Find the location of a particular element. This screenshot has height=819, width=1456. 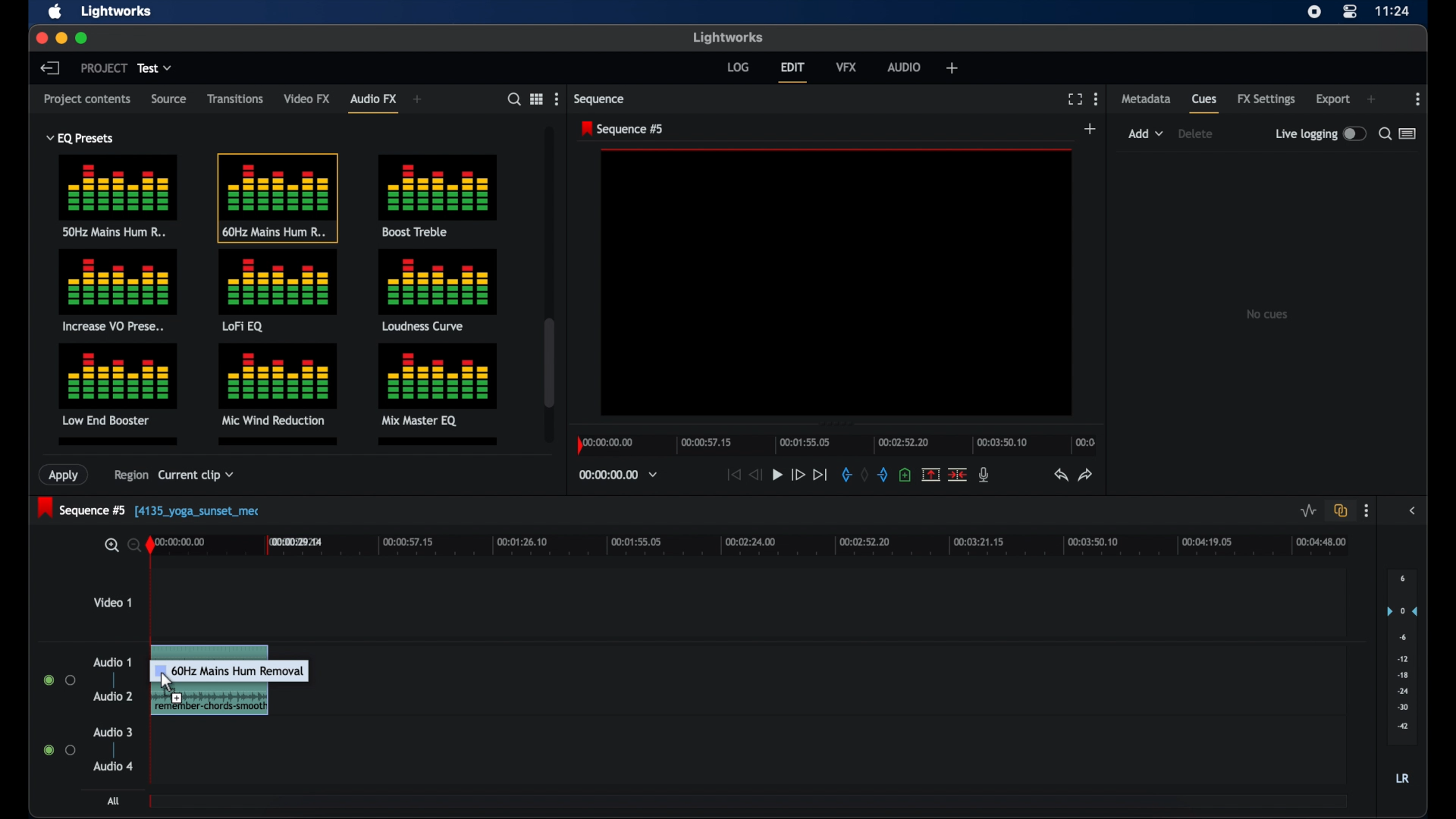

full screen is located at coordinates (1075, 99).